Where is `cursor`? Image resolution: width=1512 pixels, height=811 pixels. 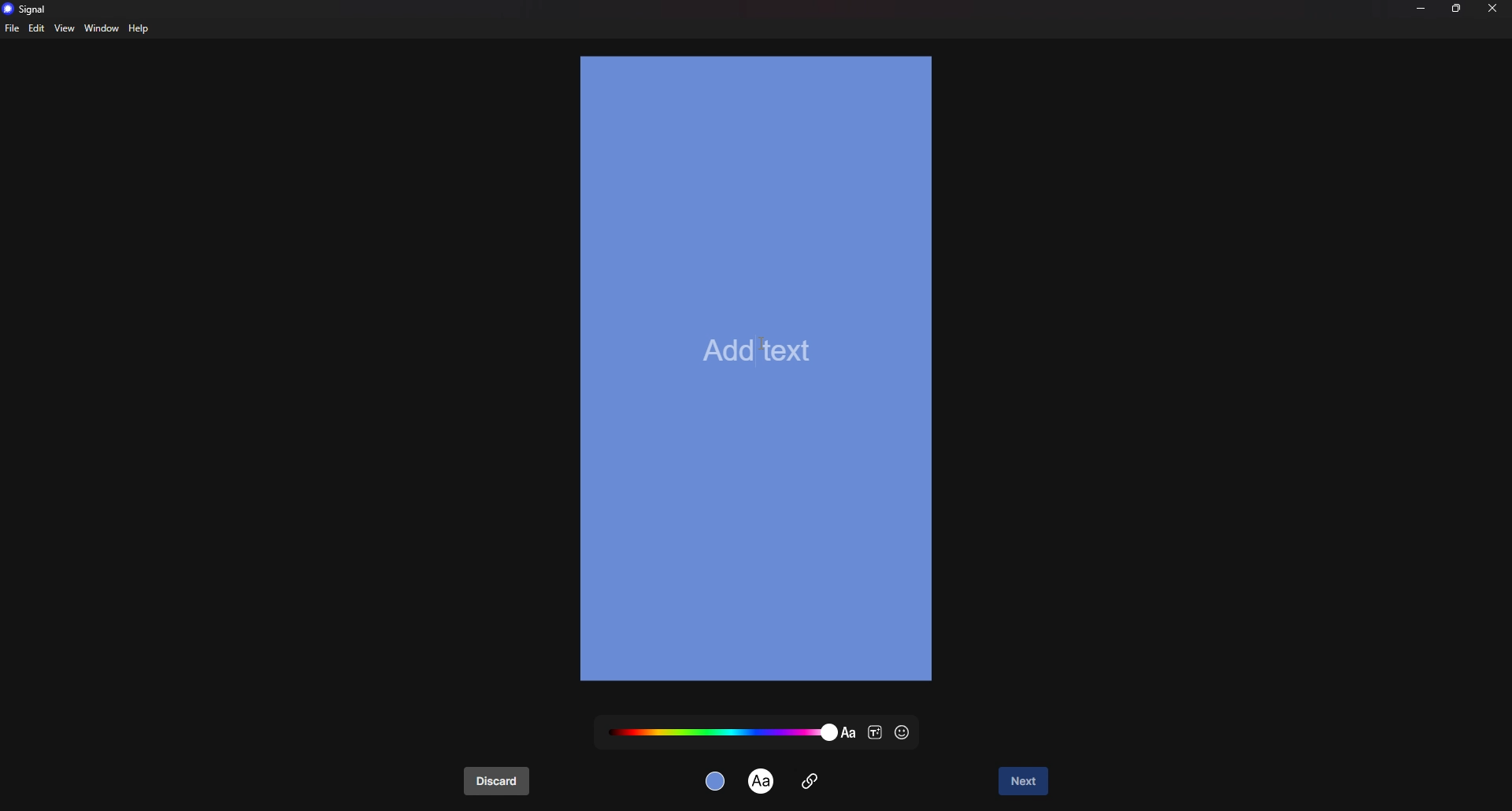
cursor is located at coordinates (765, 346).